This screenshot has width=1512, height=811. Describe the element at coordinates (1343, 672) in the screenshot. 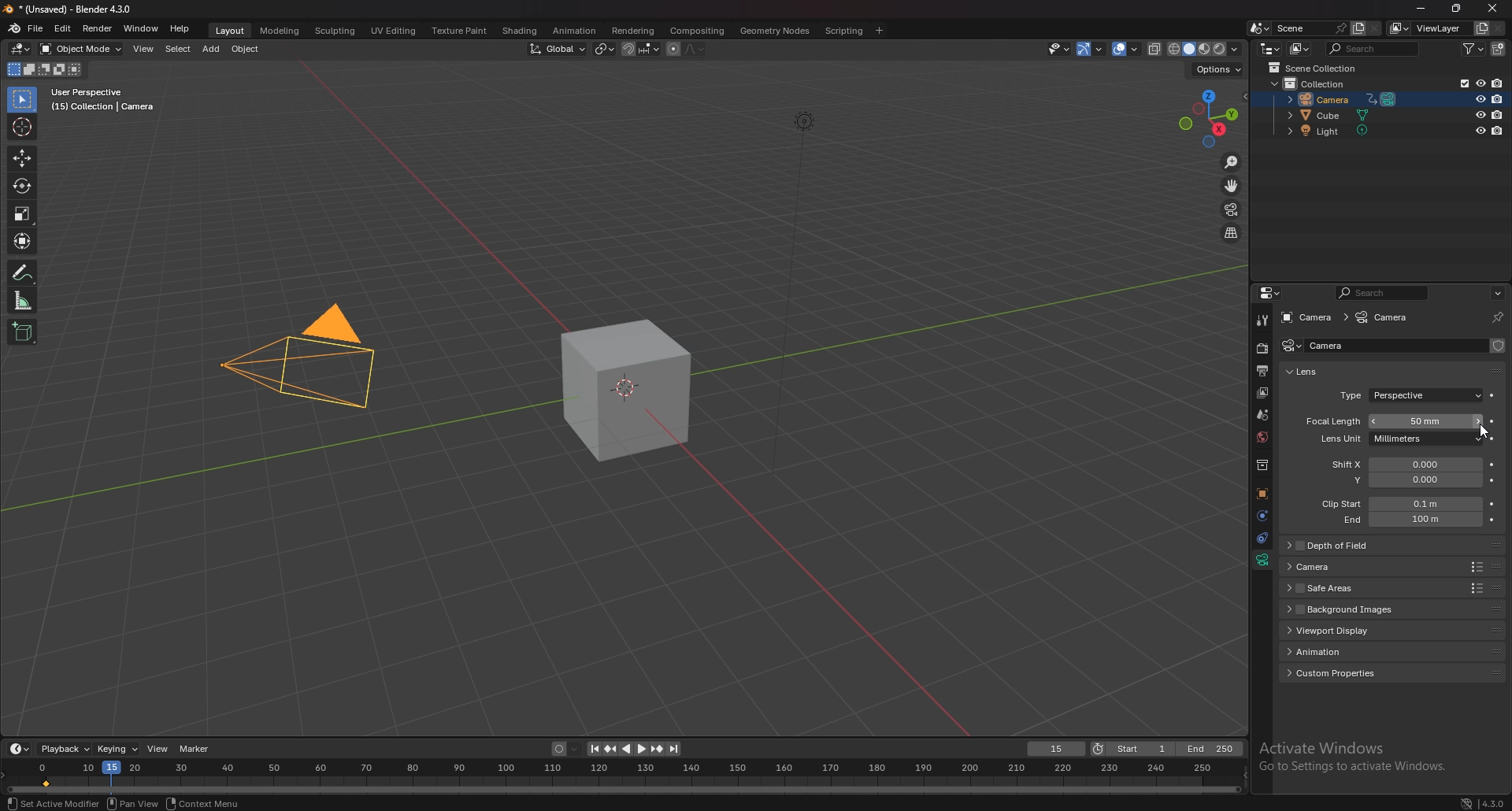

I see `custom properties` at that location.